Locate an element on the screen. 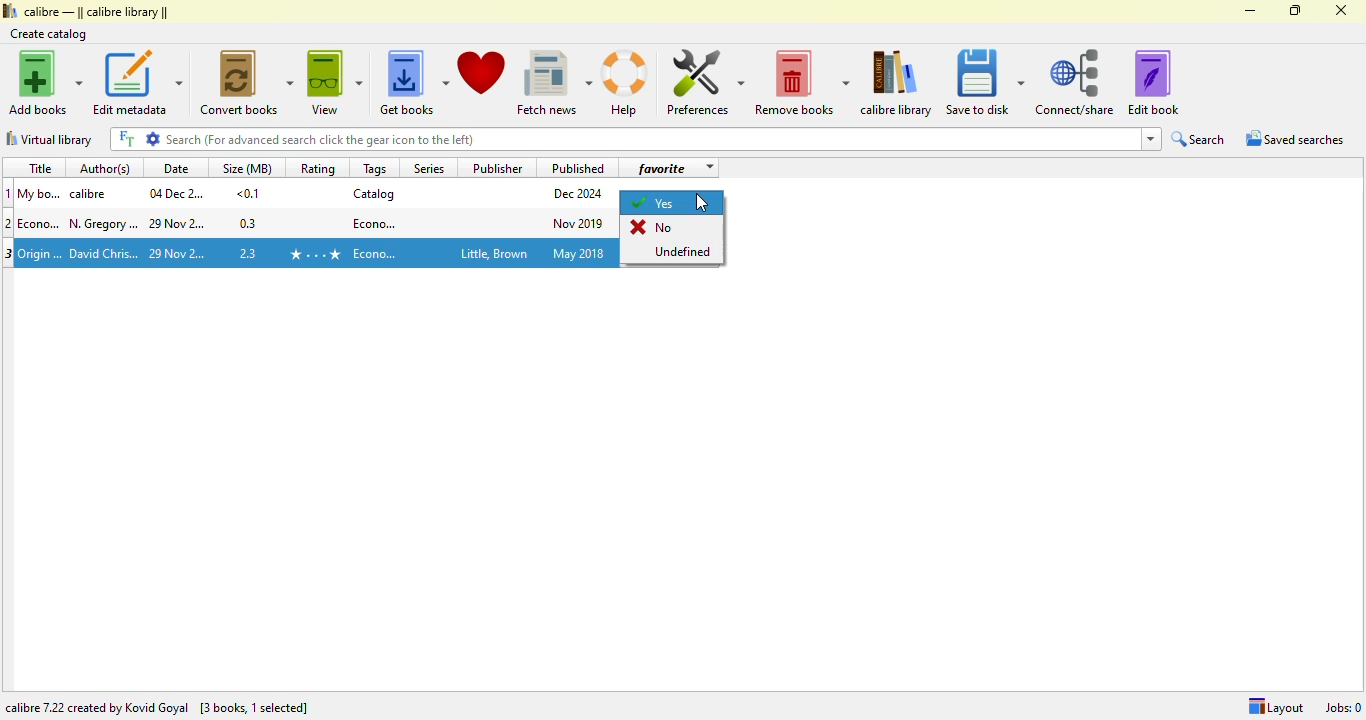 This screenshot has height=720, width=1366. donate to support calibre is located at coordinates (482, 73).